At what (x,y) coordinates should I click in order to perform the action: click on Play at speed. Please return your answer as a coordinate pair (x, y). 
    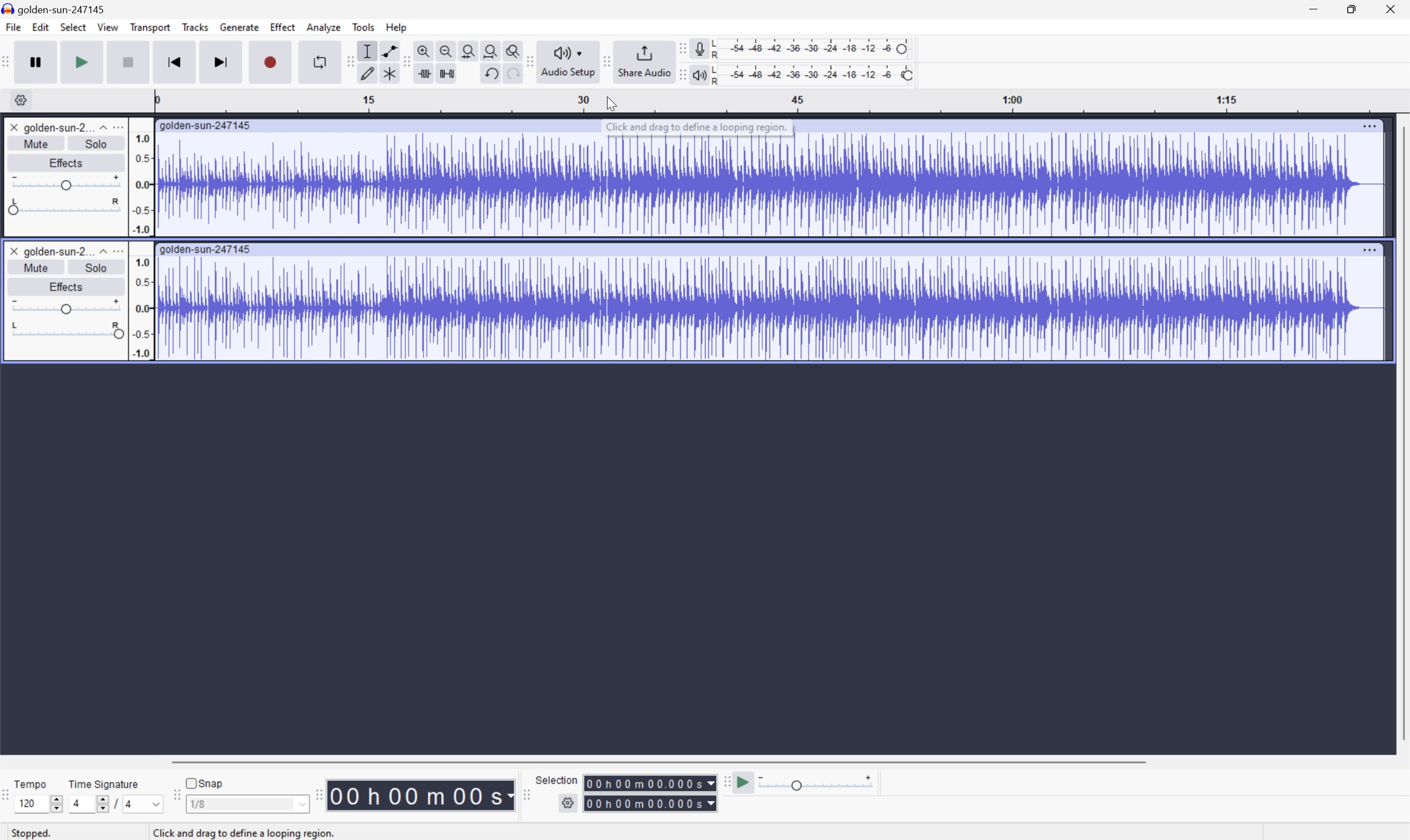
    Looking at the image, I should click on (745, 783).